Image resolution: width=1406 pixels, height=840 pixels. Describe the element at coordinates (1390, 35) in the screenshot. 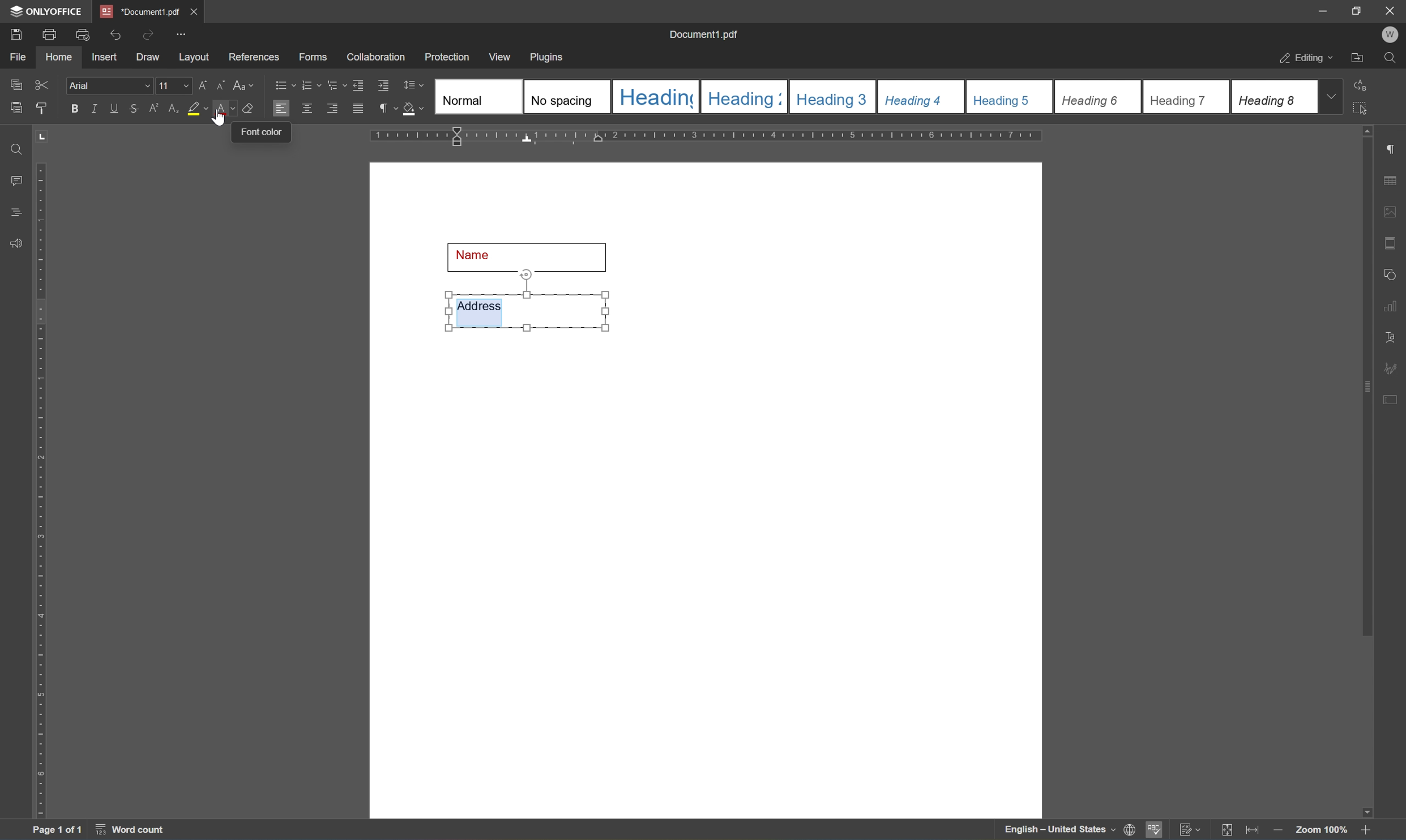

I see `welcome` at that location.